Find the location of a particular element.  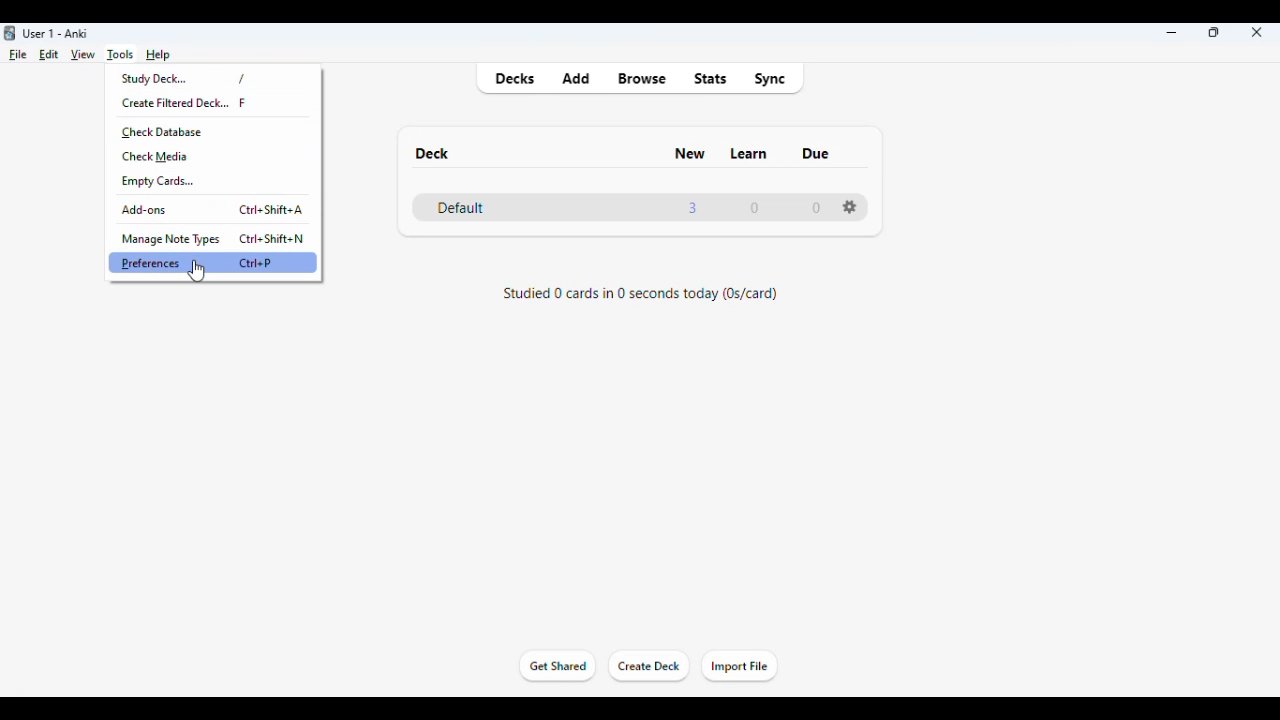

check media is located at coordinates (155, 156).